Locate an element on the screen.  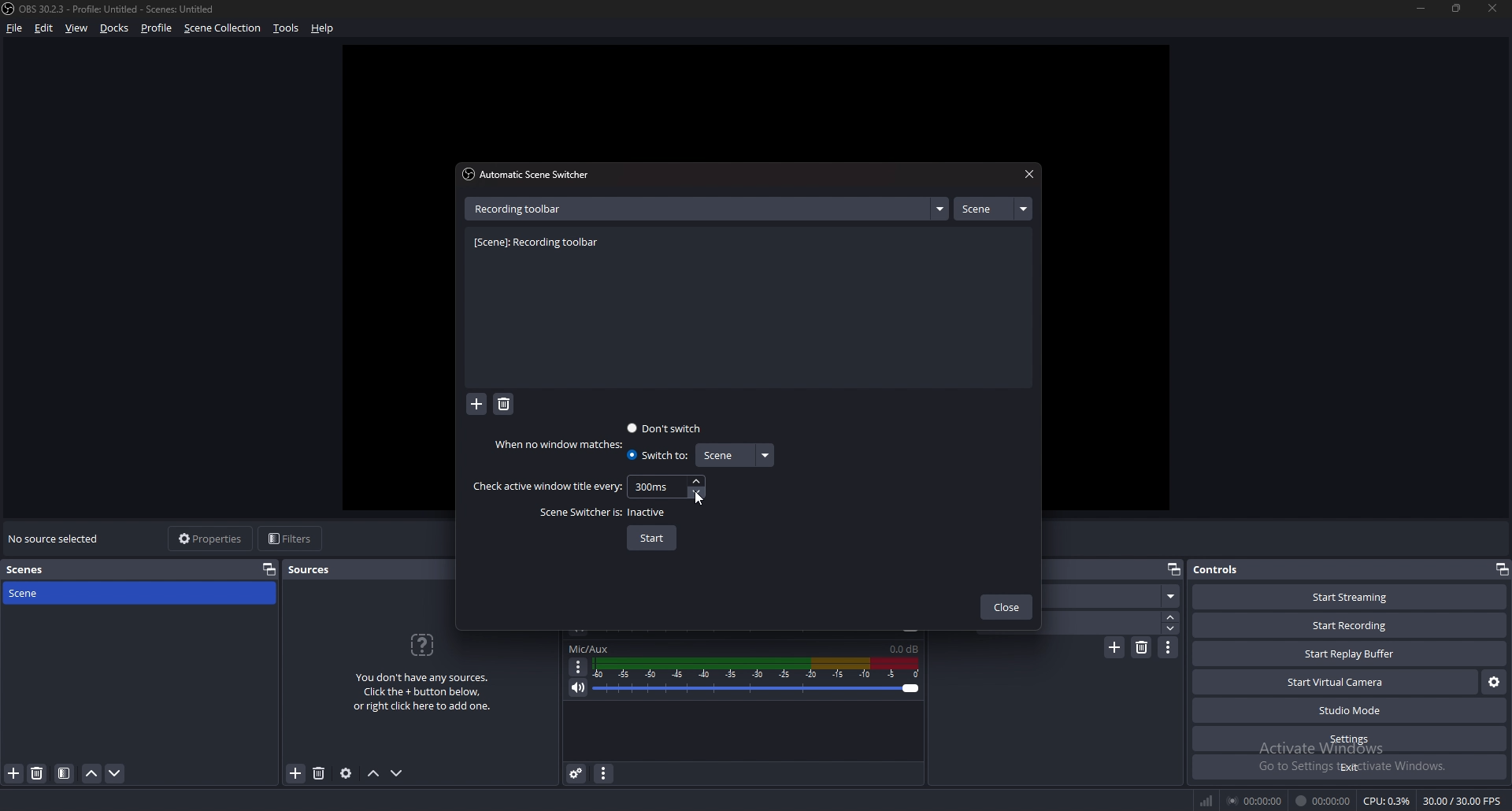
pop out is located at coordinates (1501, 569).